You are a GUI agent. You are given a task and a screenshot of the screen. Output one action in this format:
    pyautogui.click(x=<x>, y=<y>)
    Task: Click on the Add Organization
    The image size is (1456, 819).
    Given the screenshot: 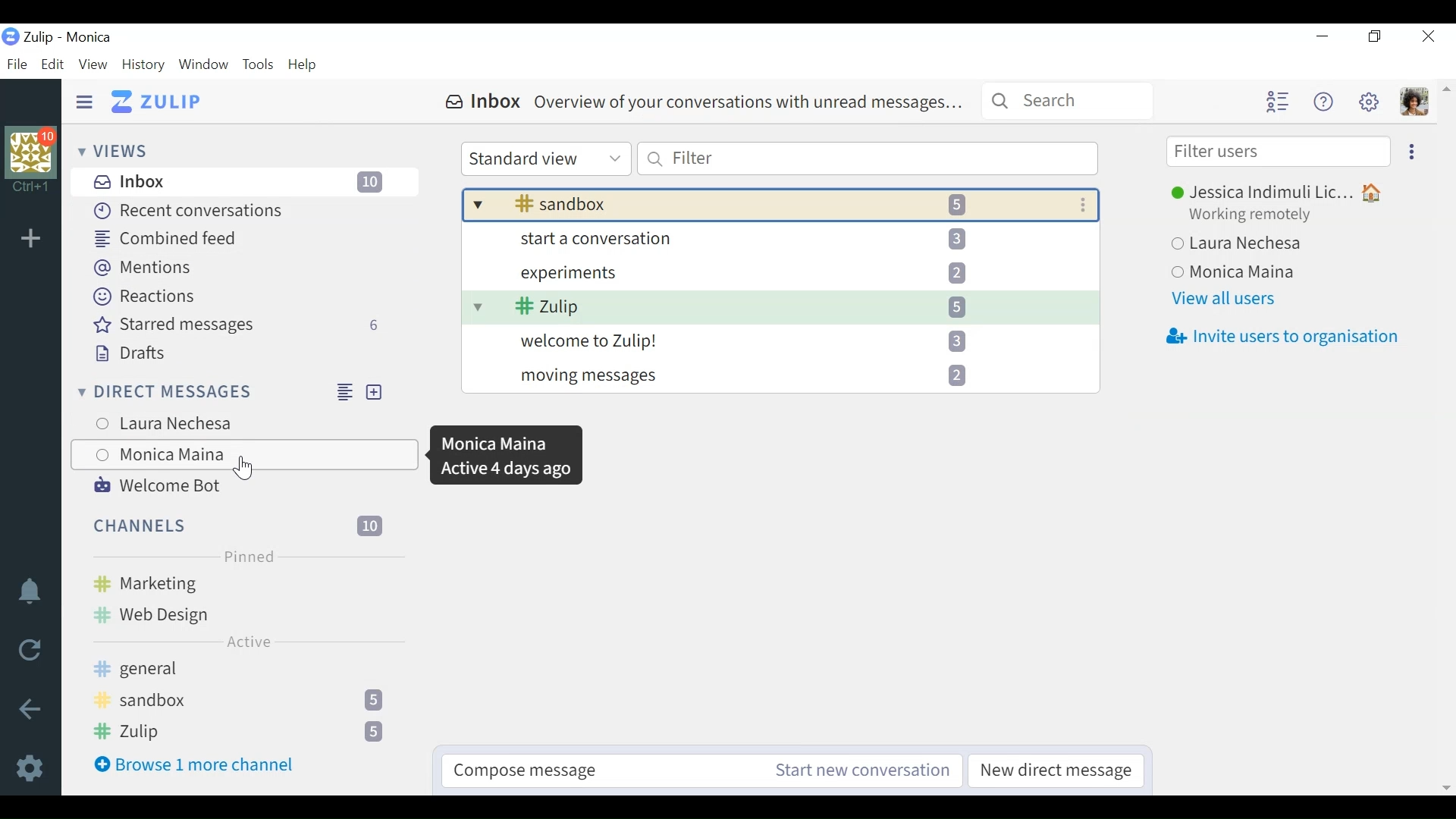 What is the action you would take?
    pyautogui.click(x=30, y=240)
    